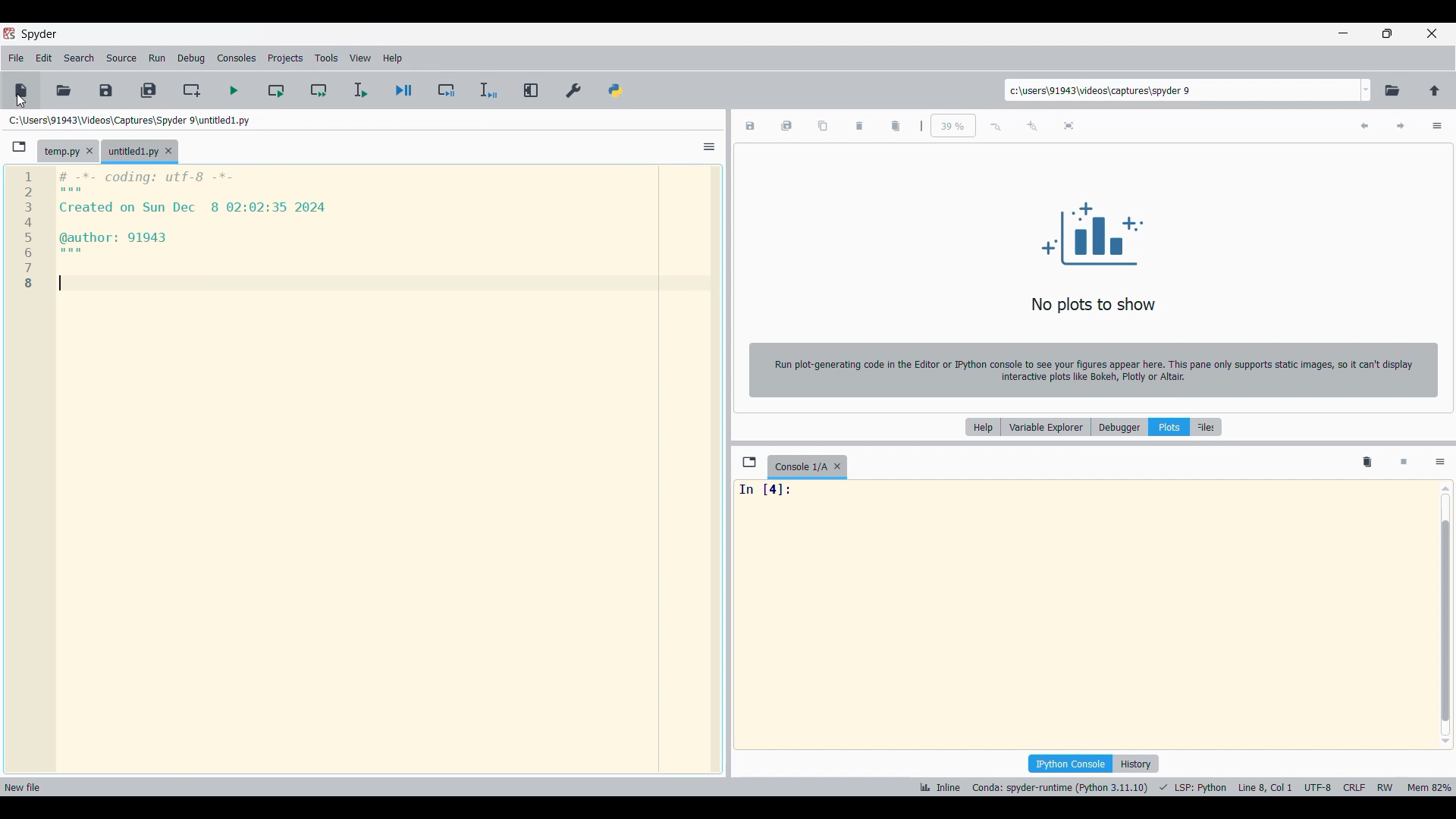 This screenshot has width=1456, height=819. Describe the element at coordinates (237, 58) in the screenshot. I see `Consoles menu ` at that location.